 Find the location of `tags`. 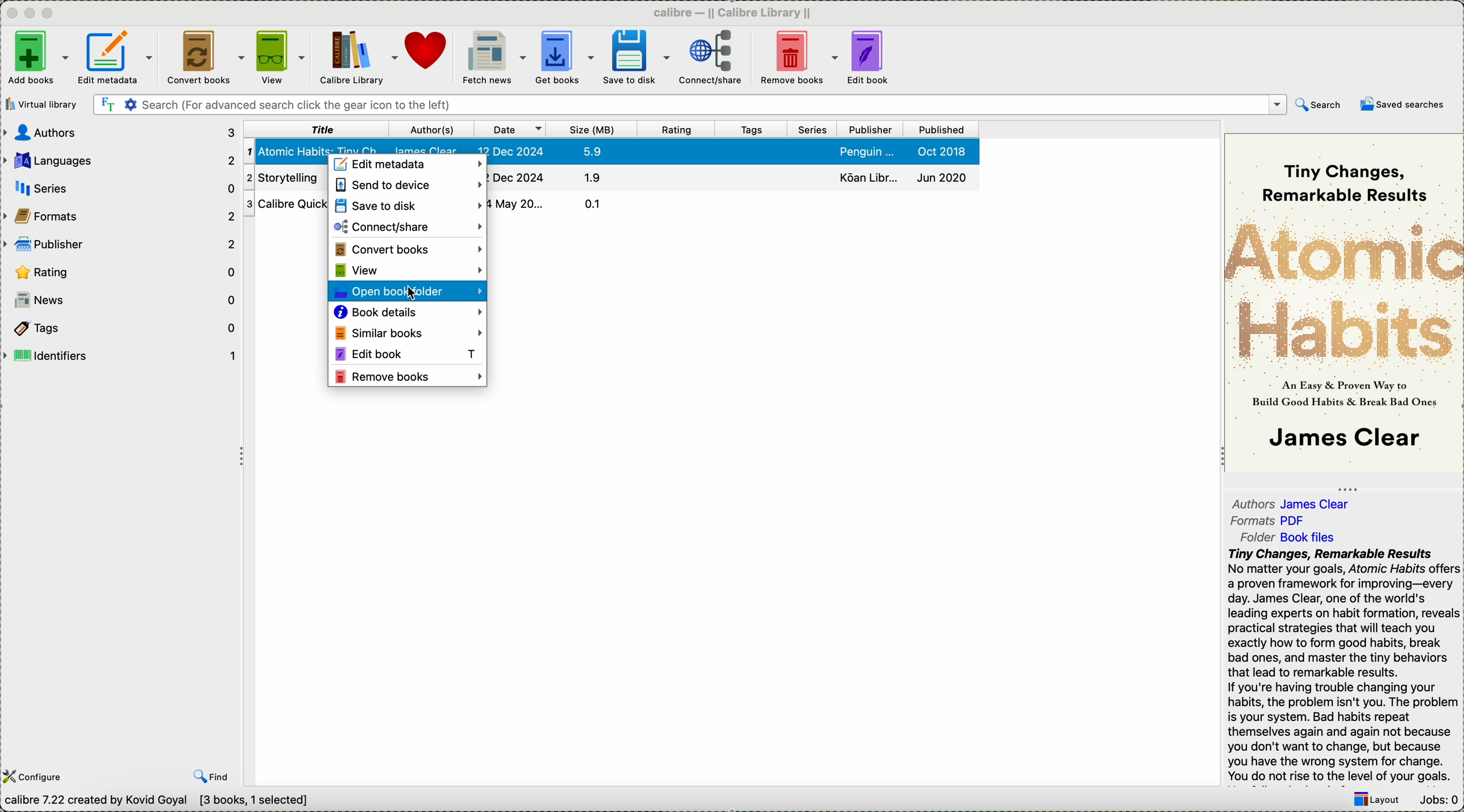

tags is located at coordinates (754, 130).